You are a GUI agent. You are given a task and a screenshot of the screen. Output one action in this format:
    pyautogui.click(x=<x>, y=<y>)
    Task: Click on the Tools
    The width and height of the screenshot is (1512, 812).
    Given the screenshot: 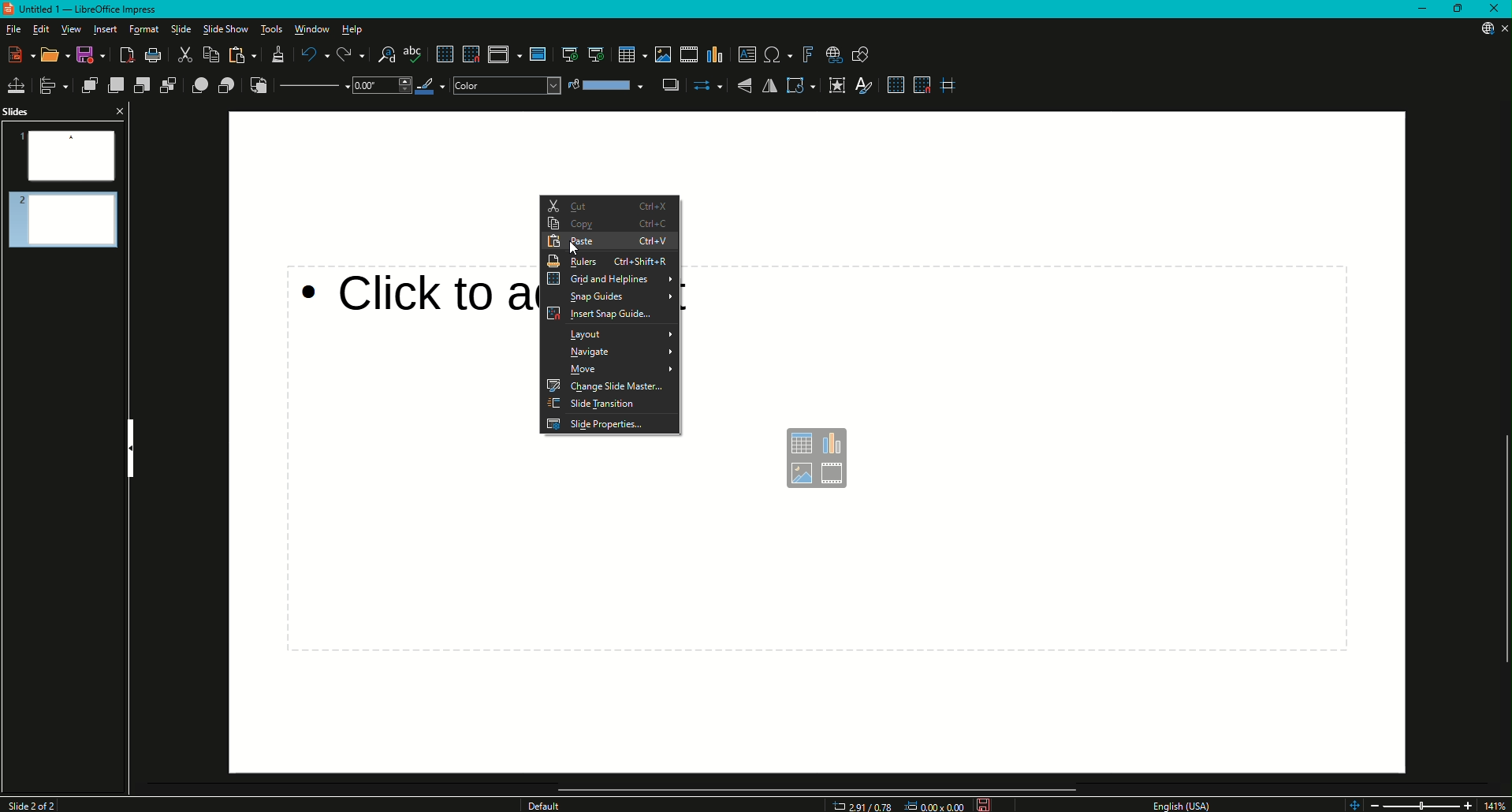 What is the action you would take?
    pyautogui.click(x=274, y=30)
    